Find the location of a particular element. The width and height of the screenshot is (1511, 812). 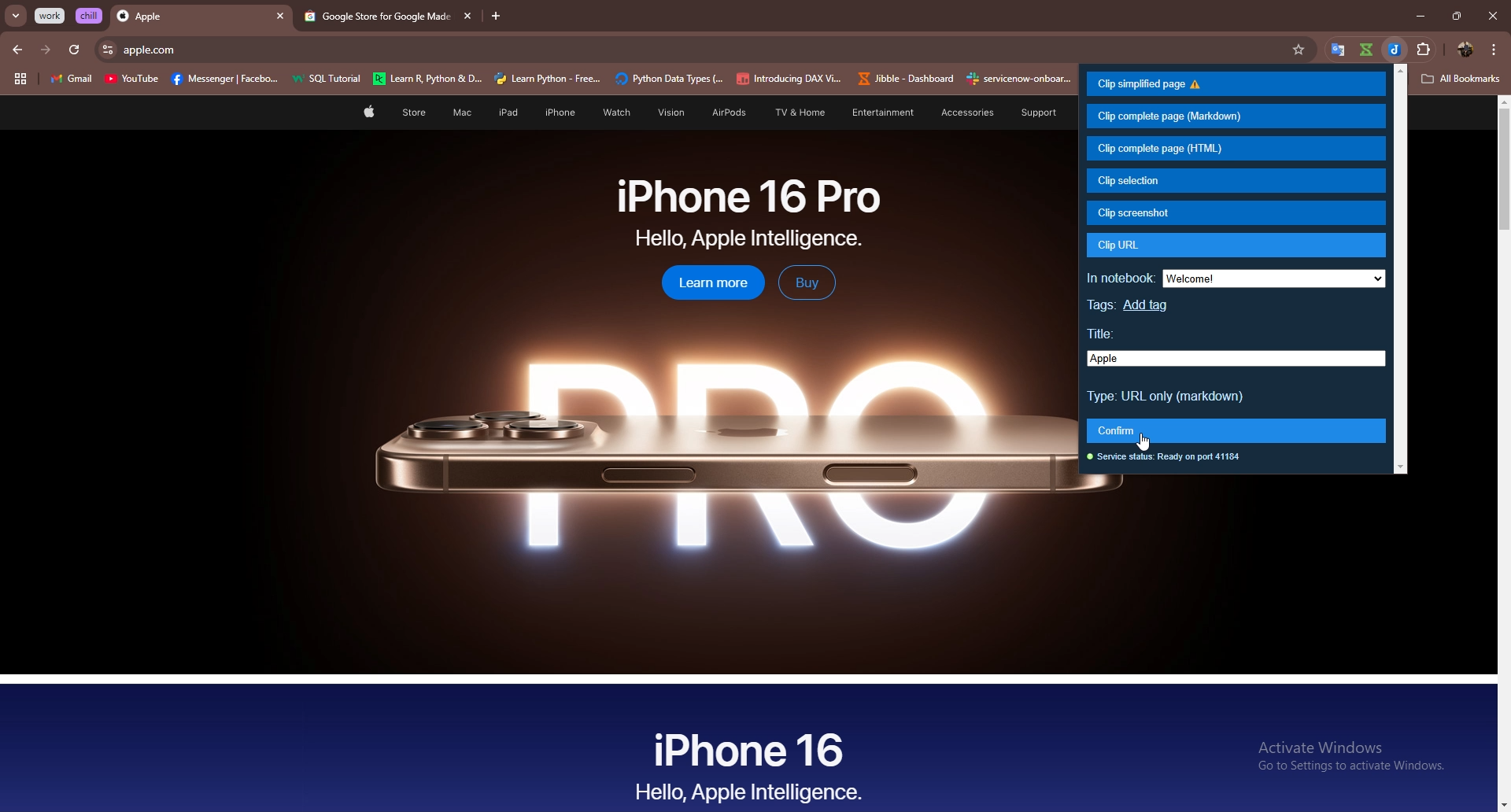

refresh is located at coordinates (74, 50).